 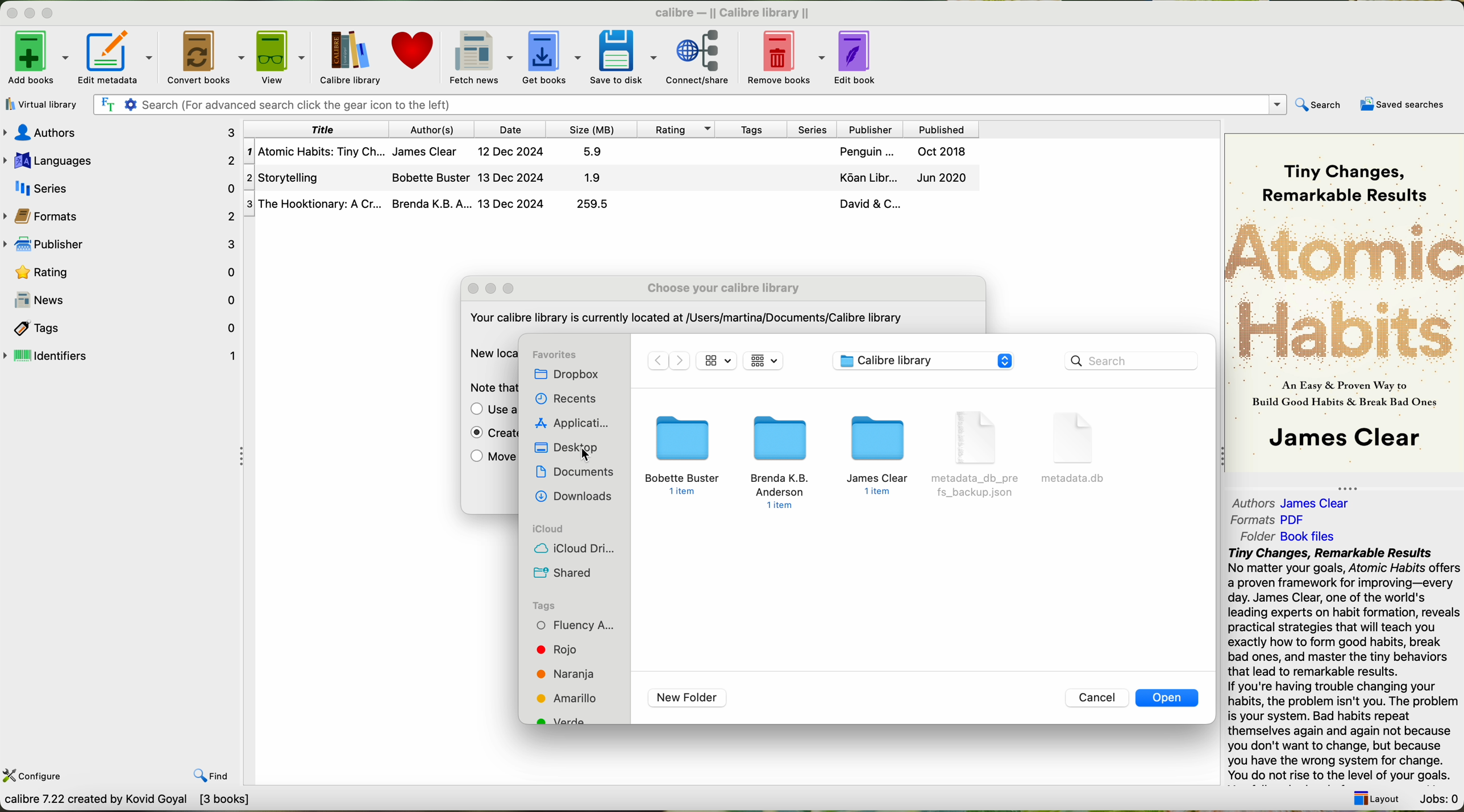 What do you see at coordinates (281, 57) in the screenshot?
I see `view` at bounding box center [281, 57].